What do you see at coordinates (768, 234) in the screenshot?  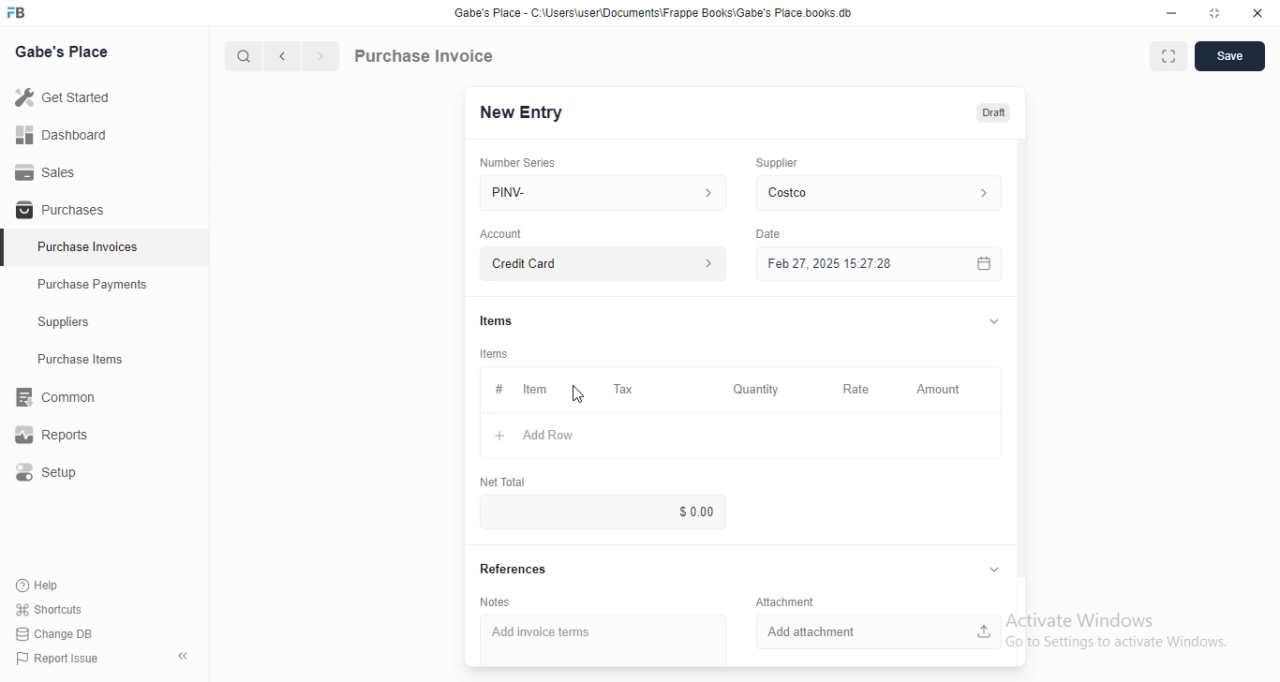 I see `Date` at bounding box center [768, 234].